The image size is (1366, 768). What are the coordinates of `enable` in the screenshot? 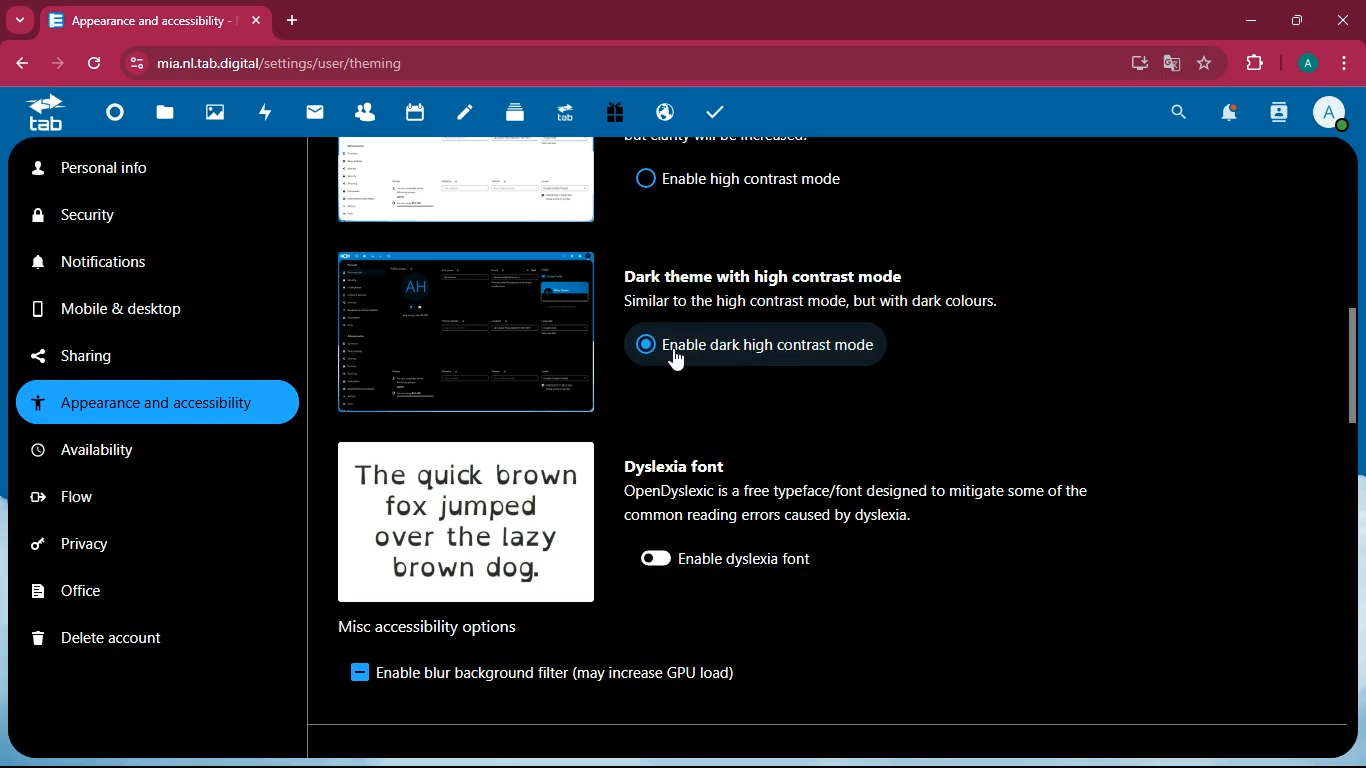 It's located at (555, 675).